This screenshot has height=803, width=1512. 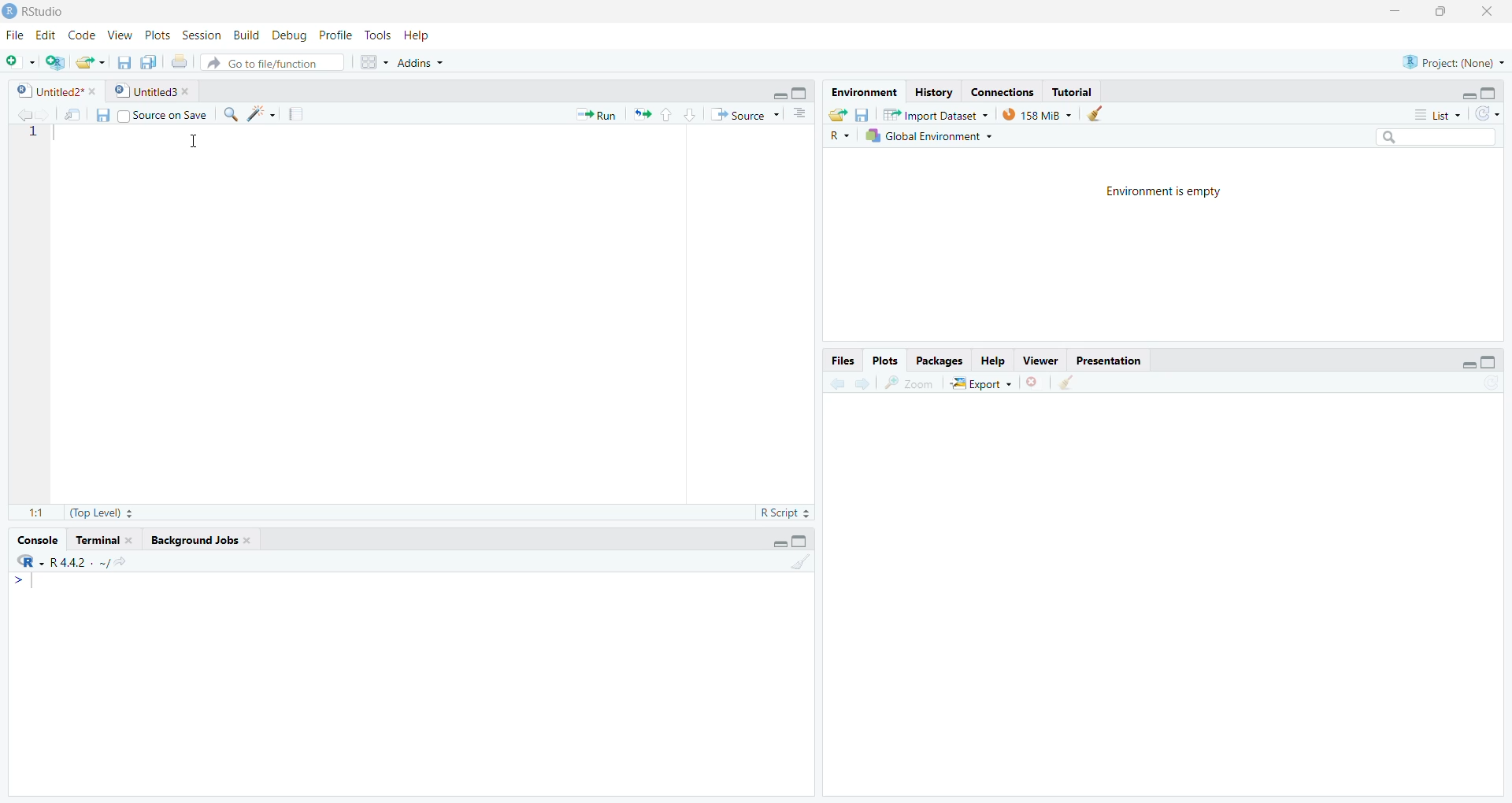 What do you see at coordinates (999, 91) in the screenshot?
I see `Connections` at bounding box center [999, 91].